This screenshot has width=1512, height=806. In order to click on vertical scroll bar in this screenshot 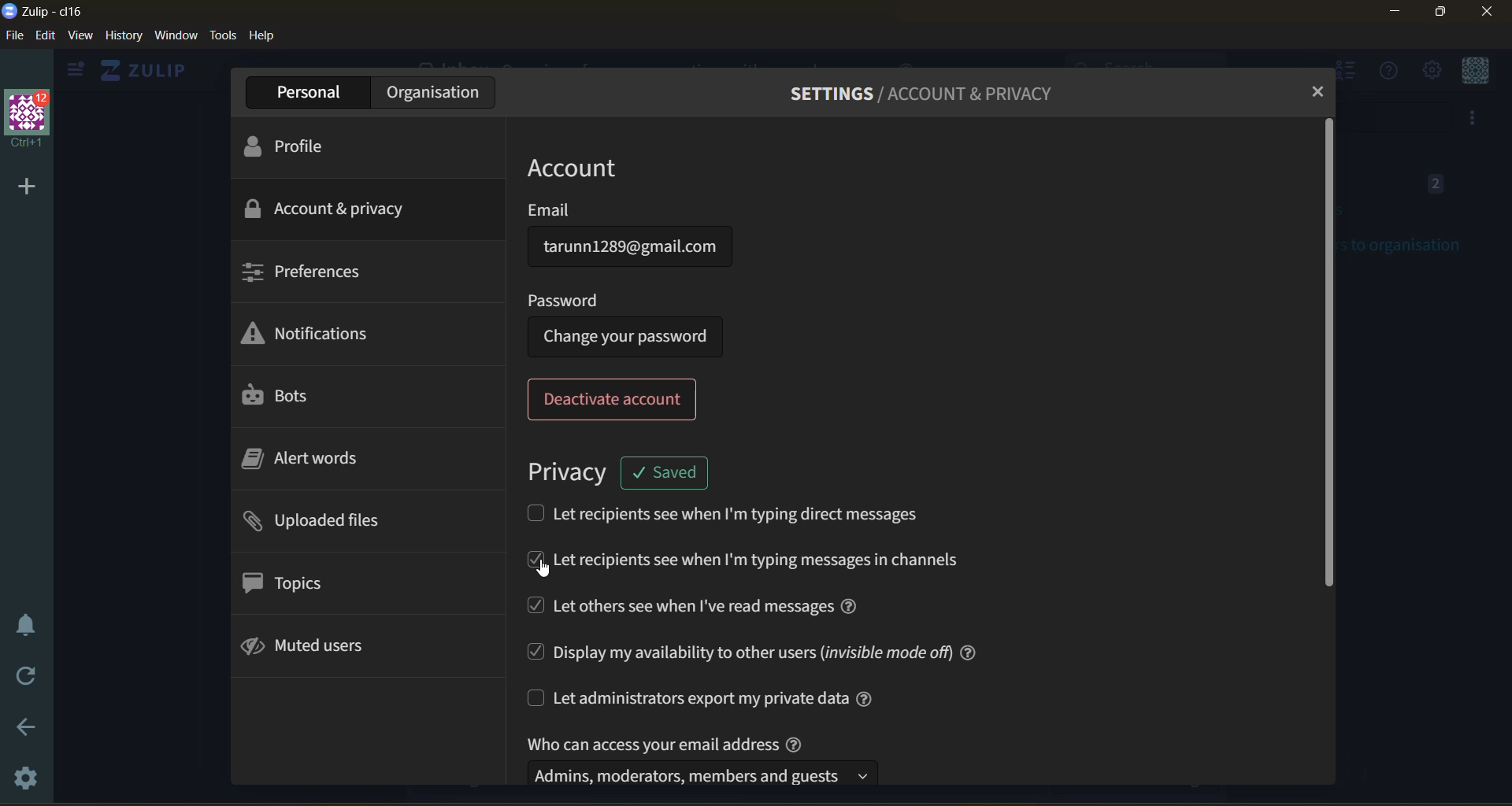, I will do `click(1325, 355)`.